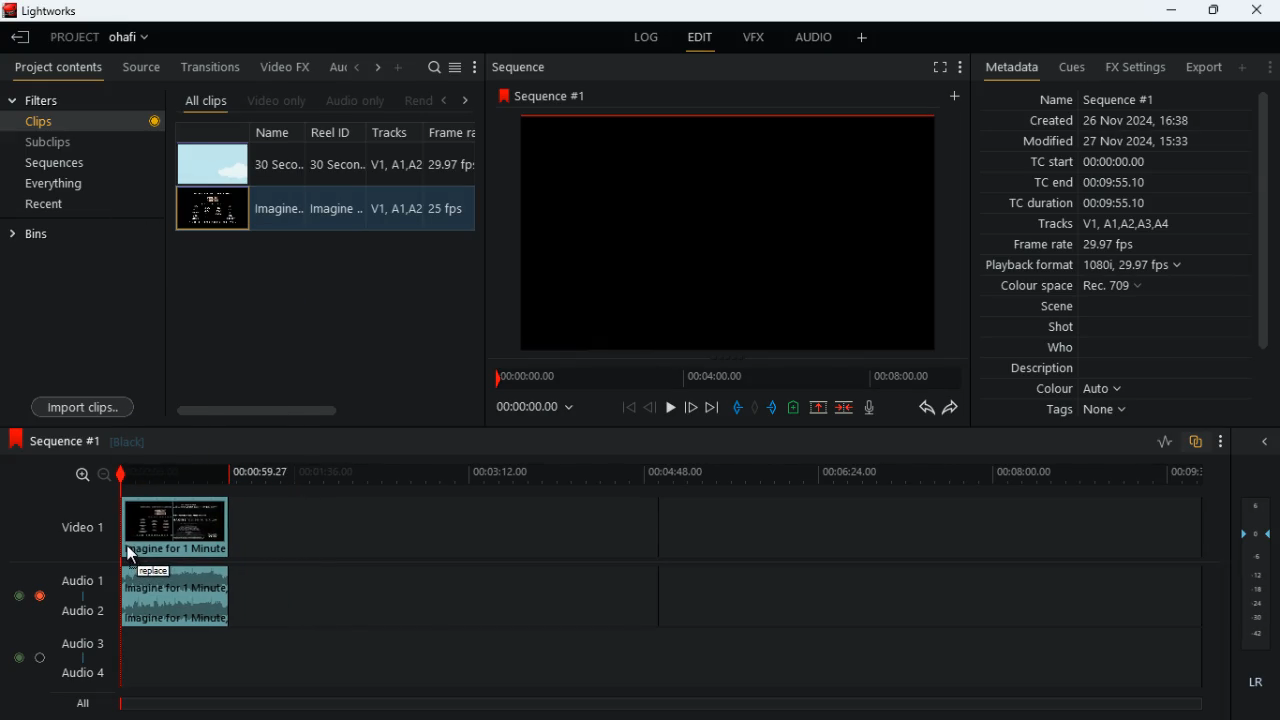 The image size is (1280, 720). What do you see at coordinates (62, 206) in the screenshot?
I see `recent` at bounding box center [62, 206].